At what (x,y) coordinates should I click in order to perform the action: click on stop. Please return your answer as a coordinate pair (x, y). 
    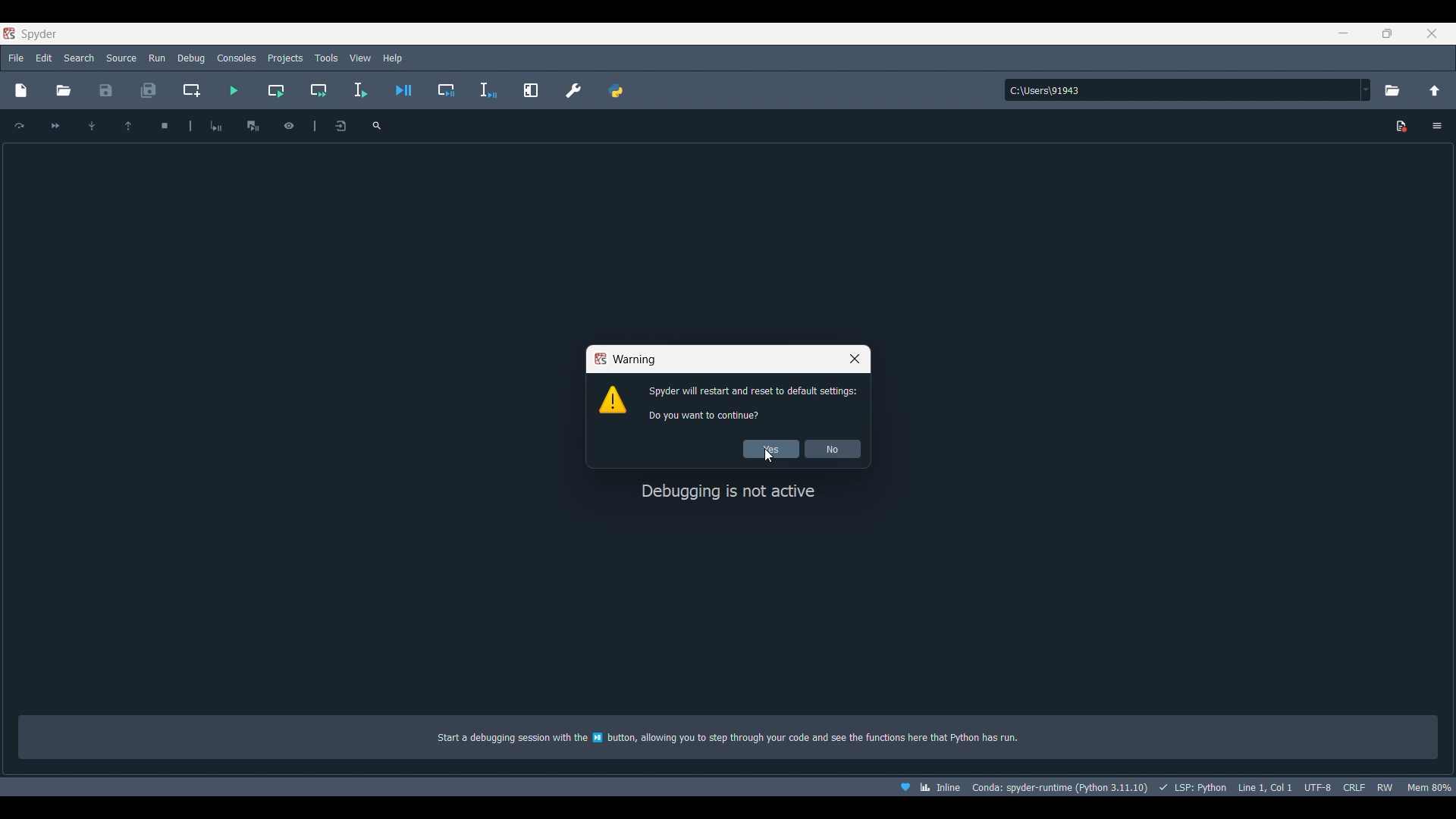
    Looking at the image, I should click on (162, 124).